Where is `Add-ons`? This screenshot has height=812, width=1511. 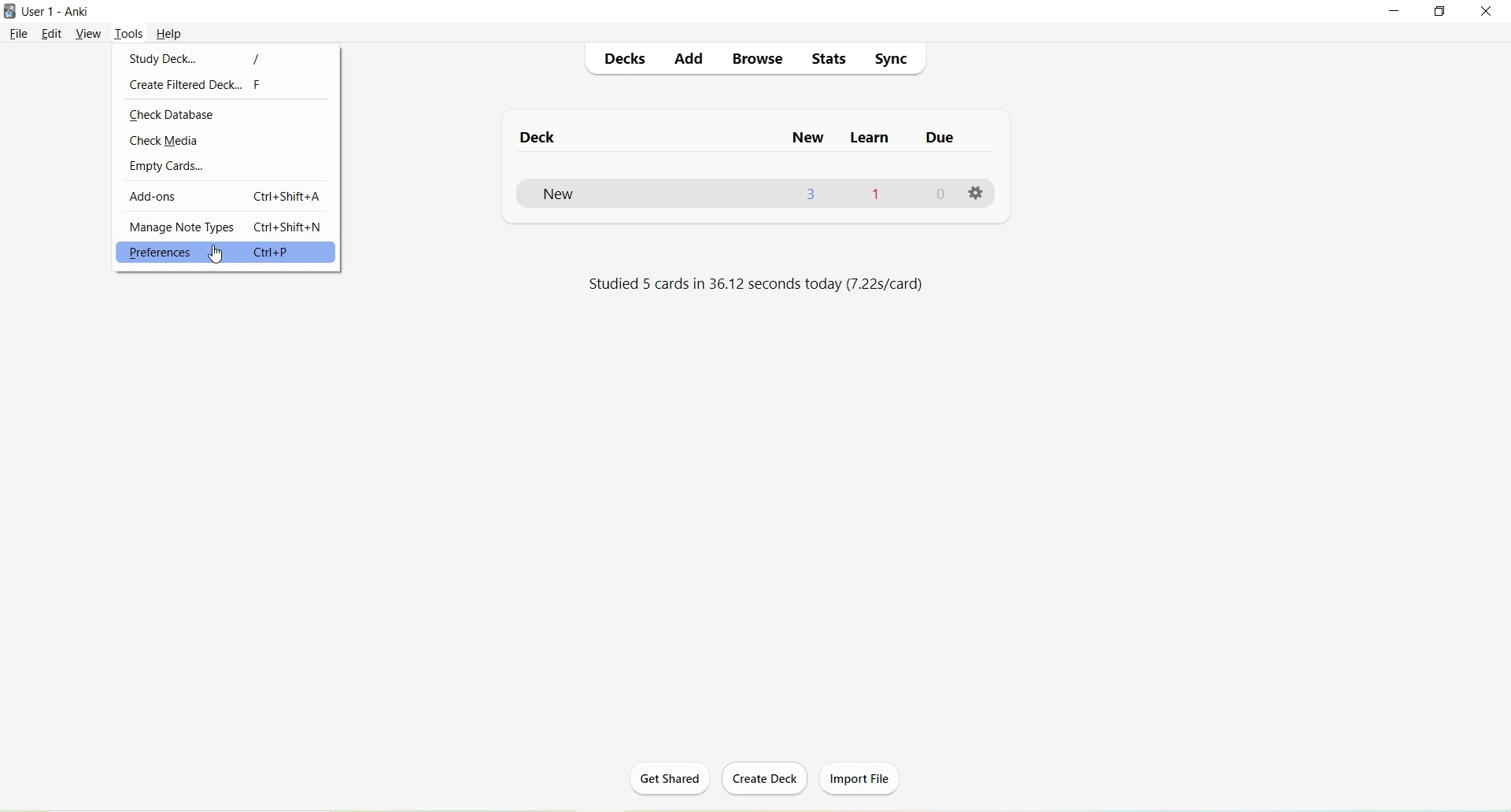 Add-ons is located at coordinates (154, 196).